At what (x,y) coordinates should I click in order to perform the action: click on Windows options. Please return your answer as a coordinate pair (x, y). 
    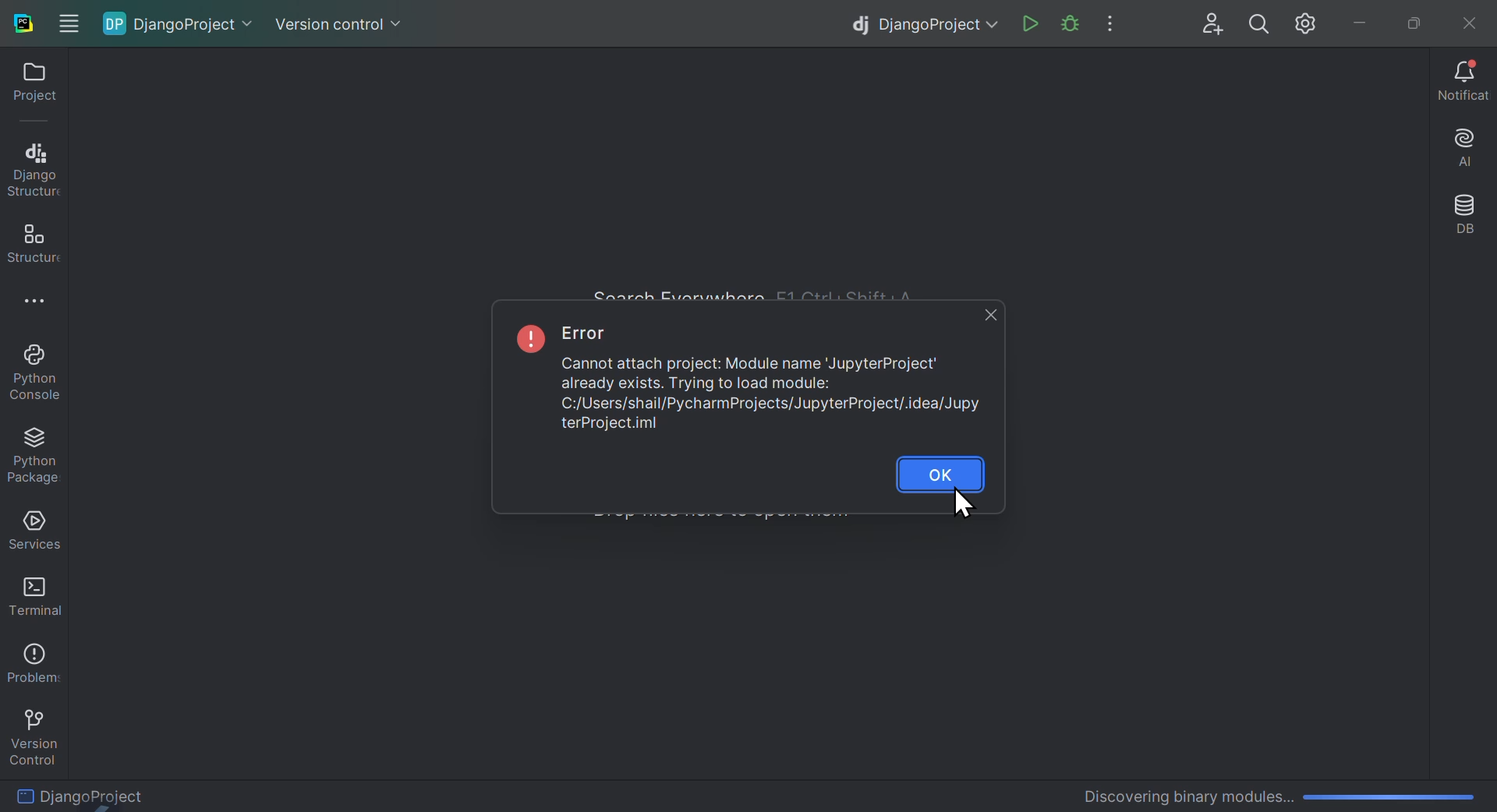
    Looking at the image, I should click on (67, 19).